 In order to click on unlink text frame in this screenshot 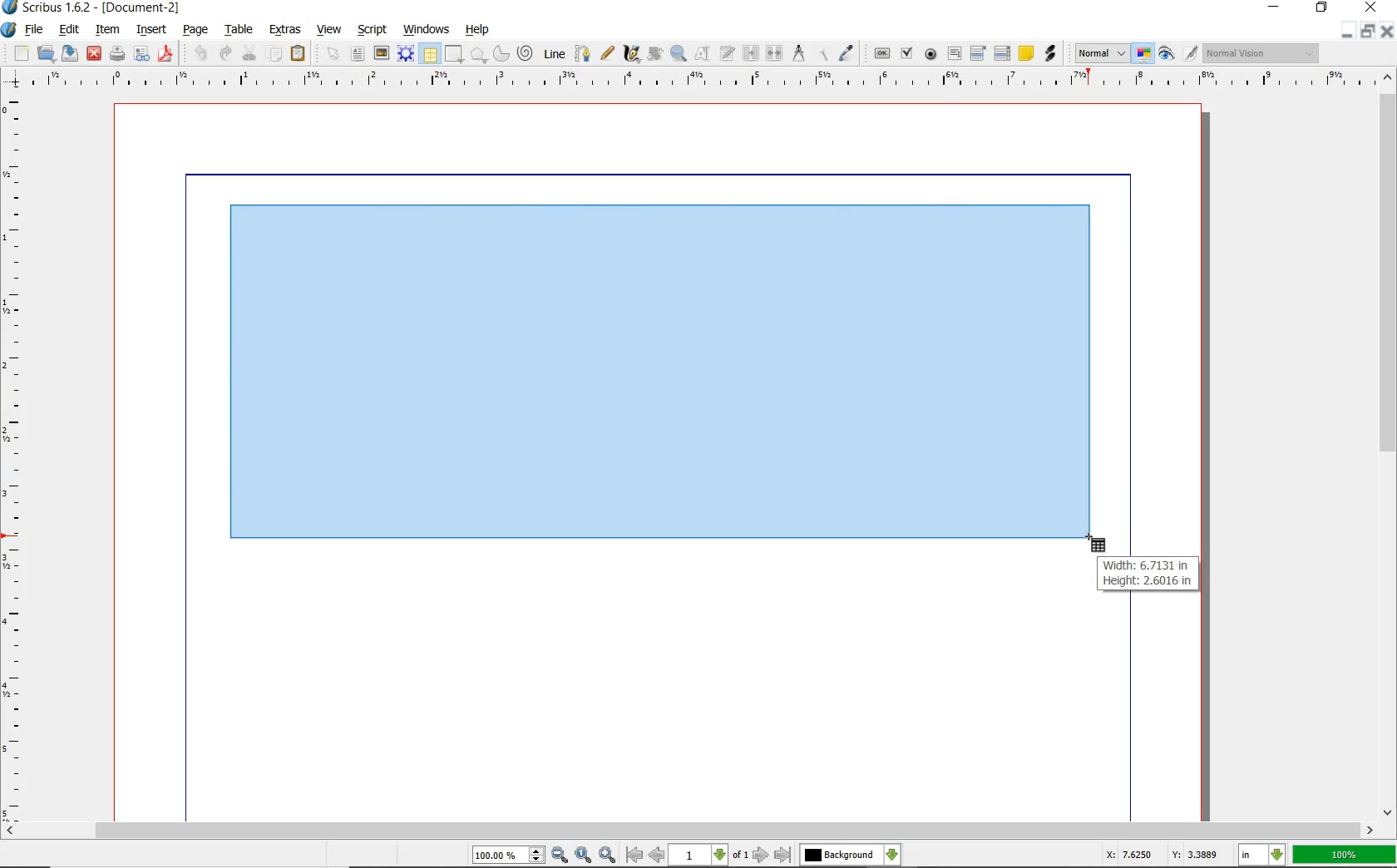, I will do `click(772, 54)`.